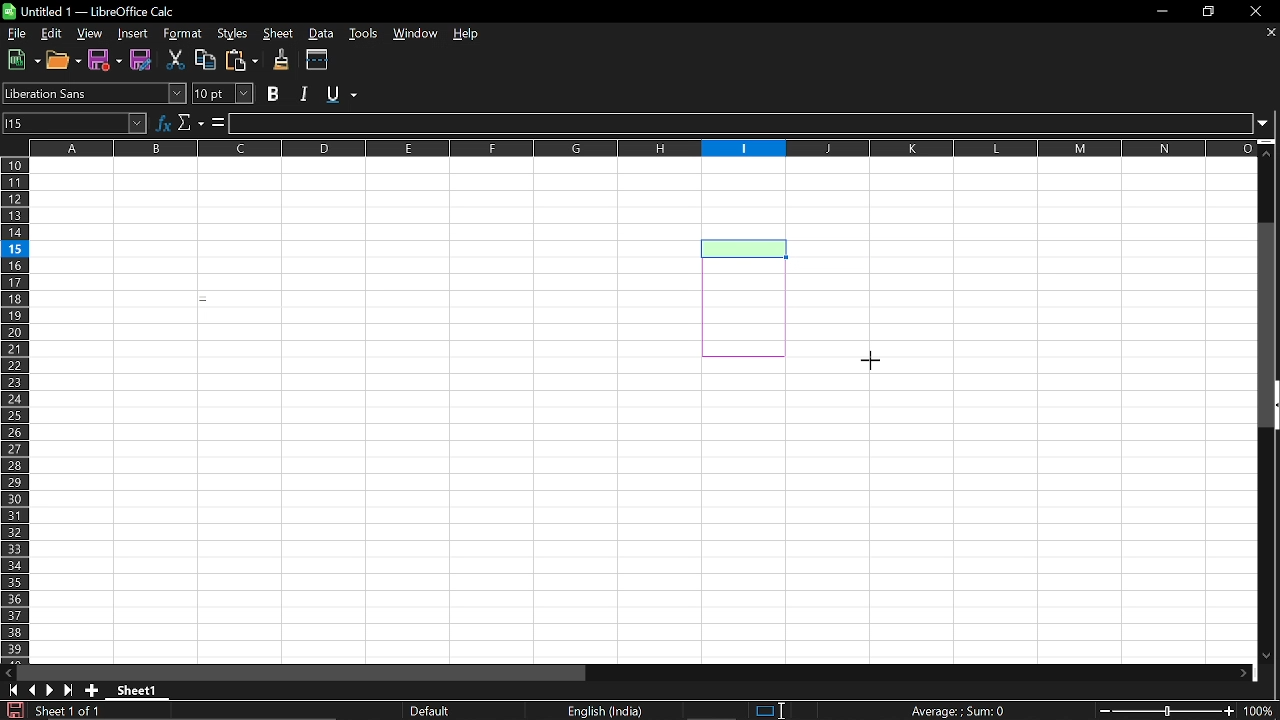 The height and width of the screenshot is (720, 1280). I want to click on Font size, so click(225, 94).